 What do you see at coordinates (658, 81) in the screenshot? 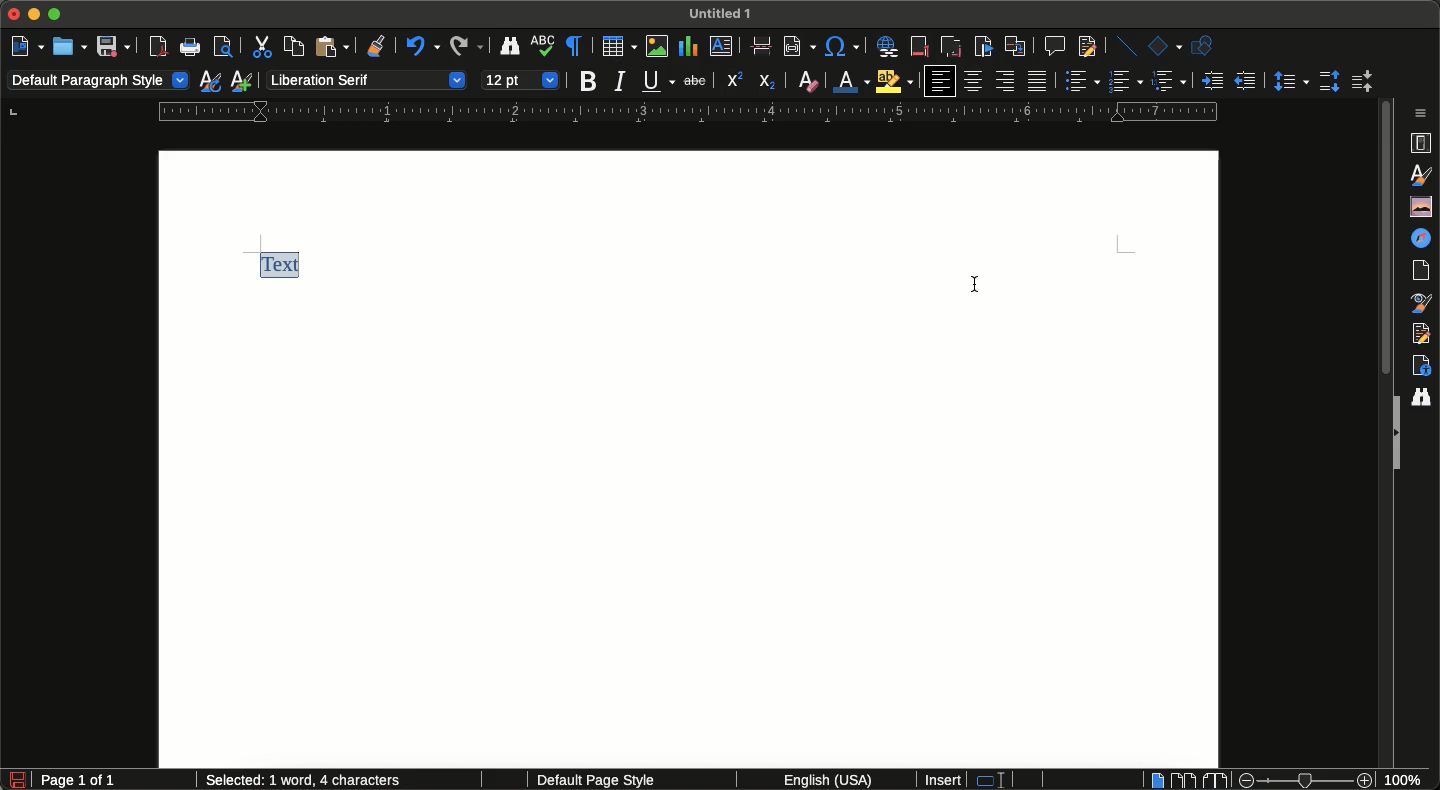
I see `Underline` at bounding box center [658, 81].